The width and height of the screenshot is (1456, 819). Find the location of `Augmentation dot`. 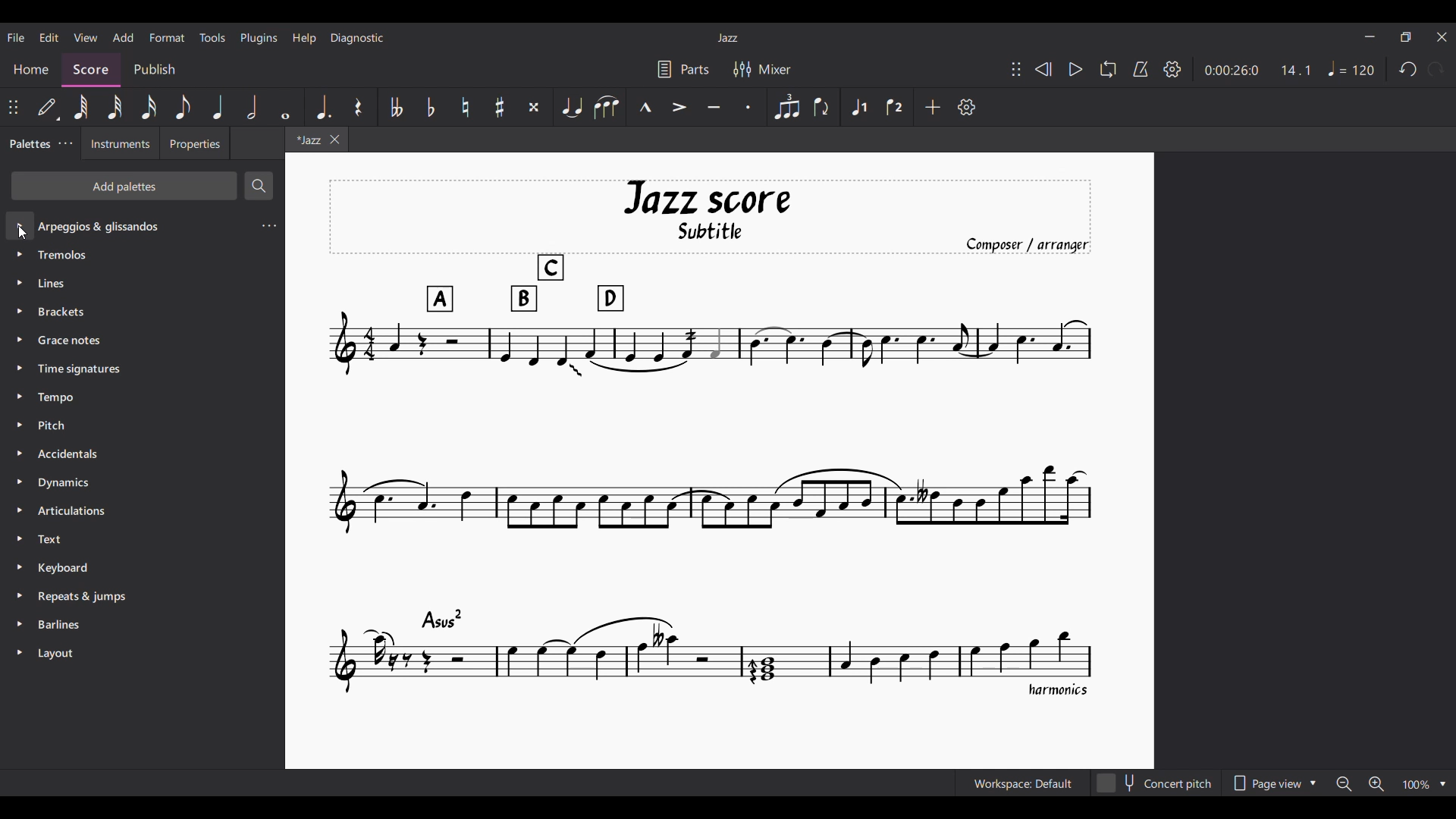

Augmentation dot is located at coordinates (322, 107).